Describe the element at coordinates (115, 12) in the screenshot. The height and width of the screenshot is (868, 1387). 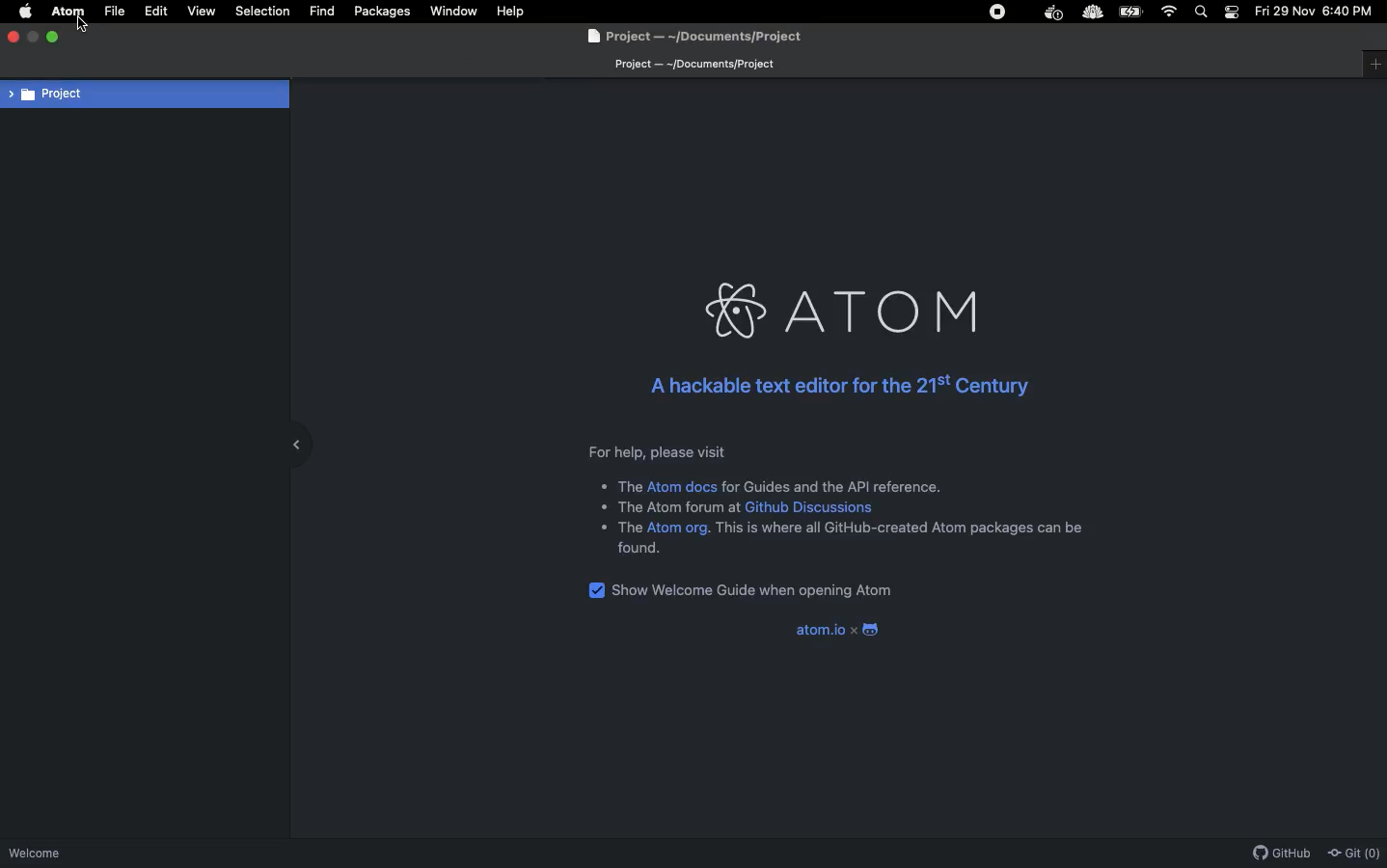
I see `File` at that location.